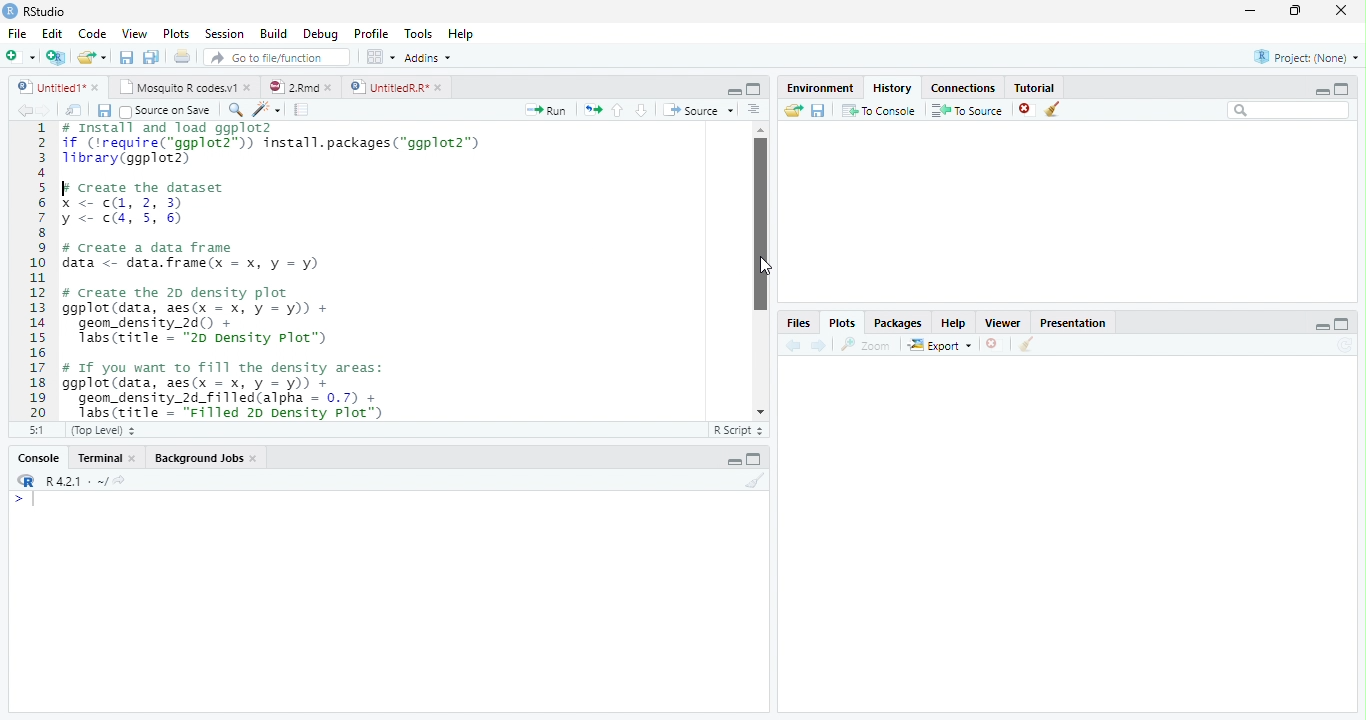 The height and width of the screenshot is (720, 1366). I want to click on View, so click(134, 34).